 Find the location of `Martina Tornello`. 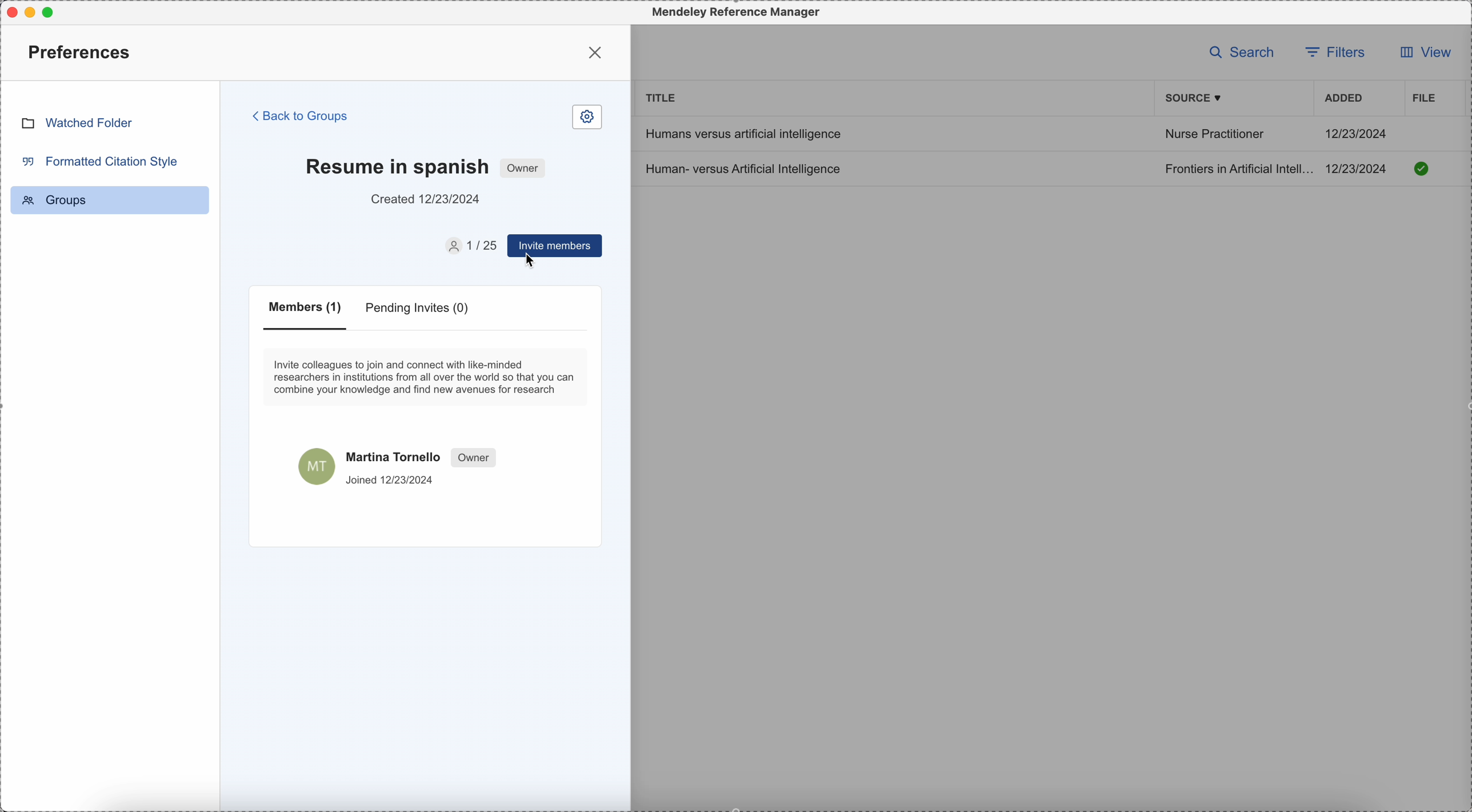

Martina Tornello is located at coordinates (399, 465).